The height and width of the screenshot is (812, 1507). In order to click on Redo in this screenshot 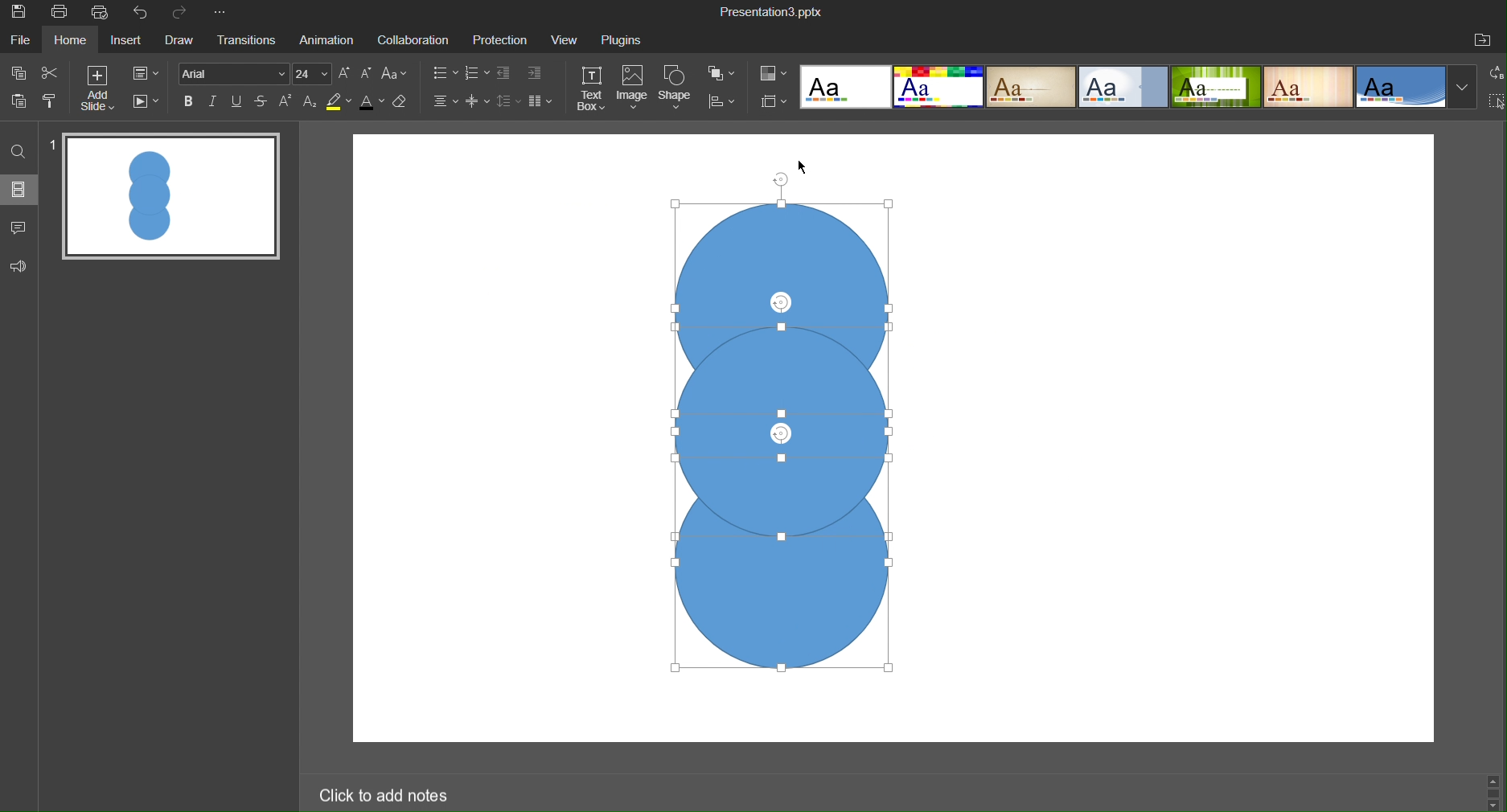, I will do `click(187, 14)`.